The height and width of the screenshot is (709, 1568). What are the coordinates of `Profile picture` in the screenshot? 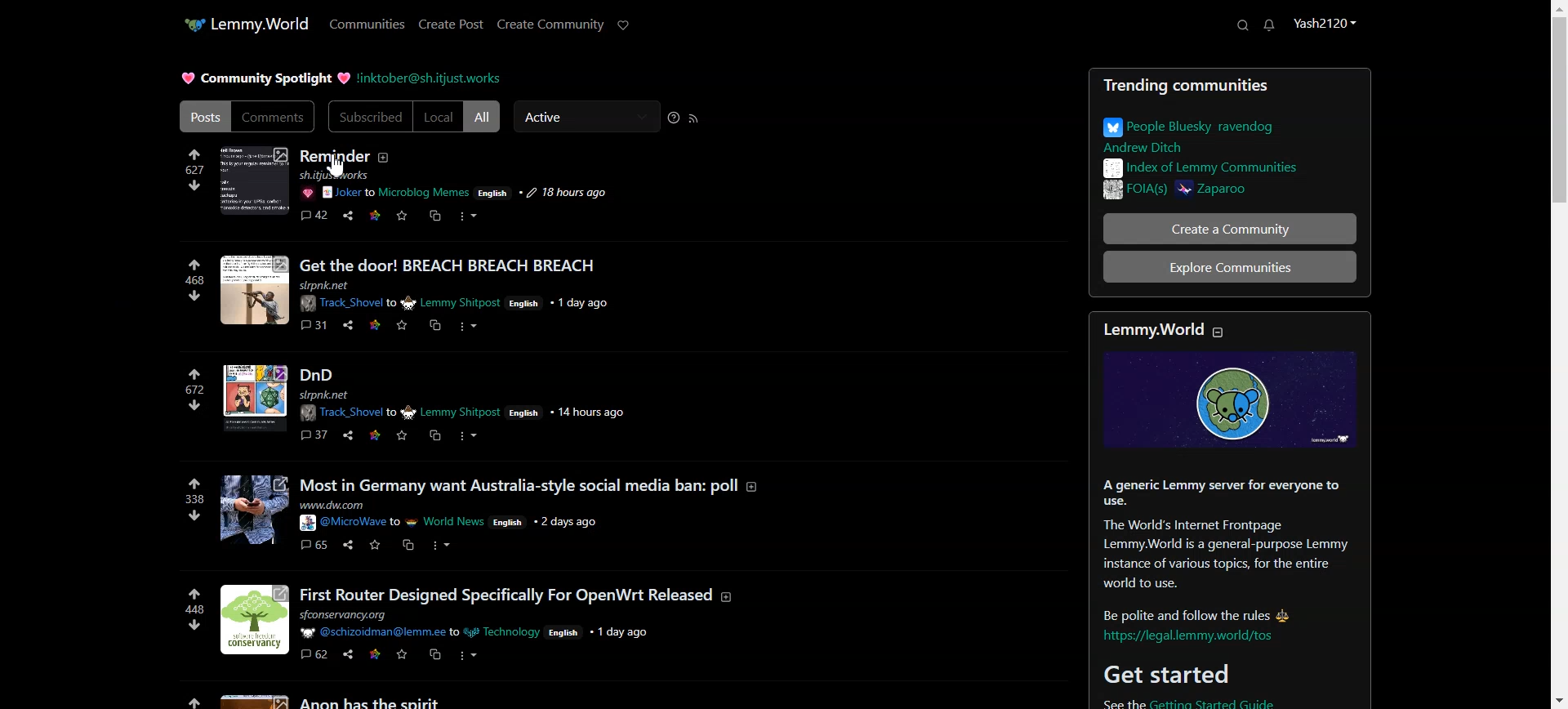 It's located at (253, 181).